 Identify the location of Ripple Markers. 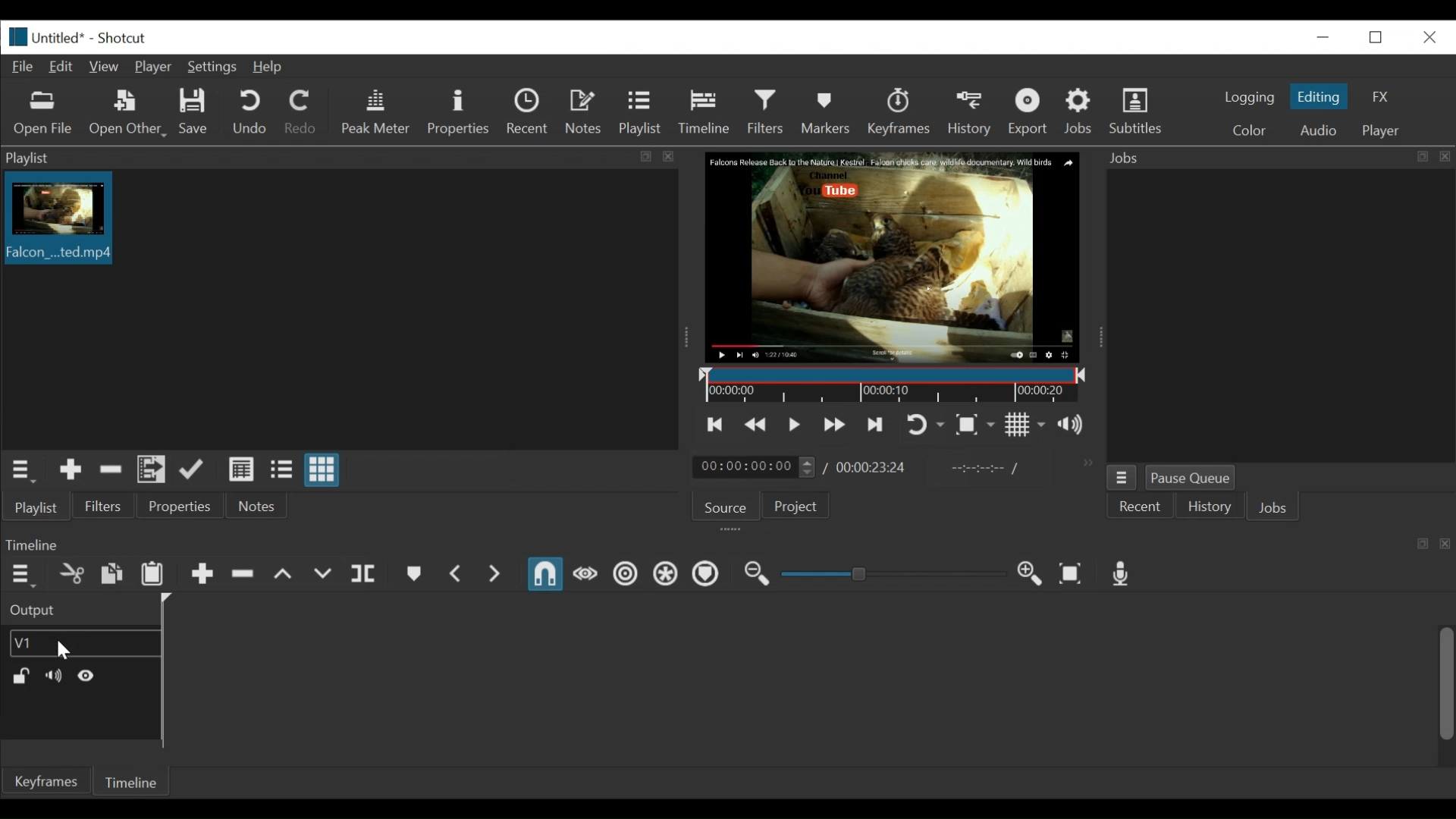
(706, 575).